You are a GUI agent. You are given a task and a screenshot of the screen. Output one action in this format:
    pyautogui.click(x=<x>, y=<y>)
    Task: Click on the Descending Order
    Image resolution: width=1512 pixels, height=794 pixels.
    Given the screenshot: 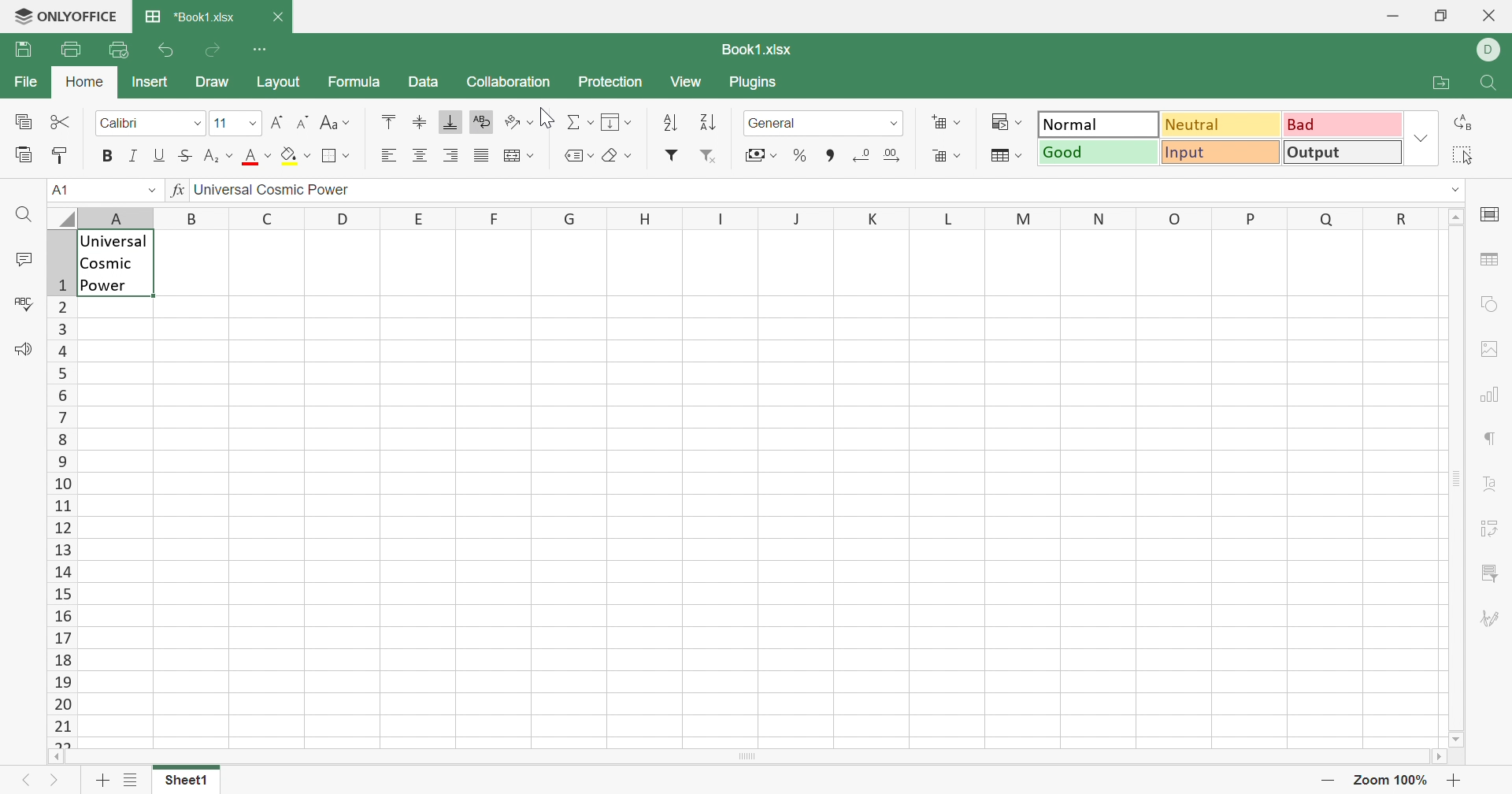 What is the action you would take?
    pyautogui.click(x=710, y=123)
    